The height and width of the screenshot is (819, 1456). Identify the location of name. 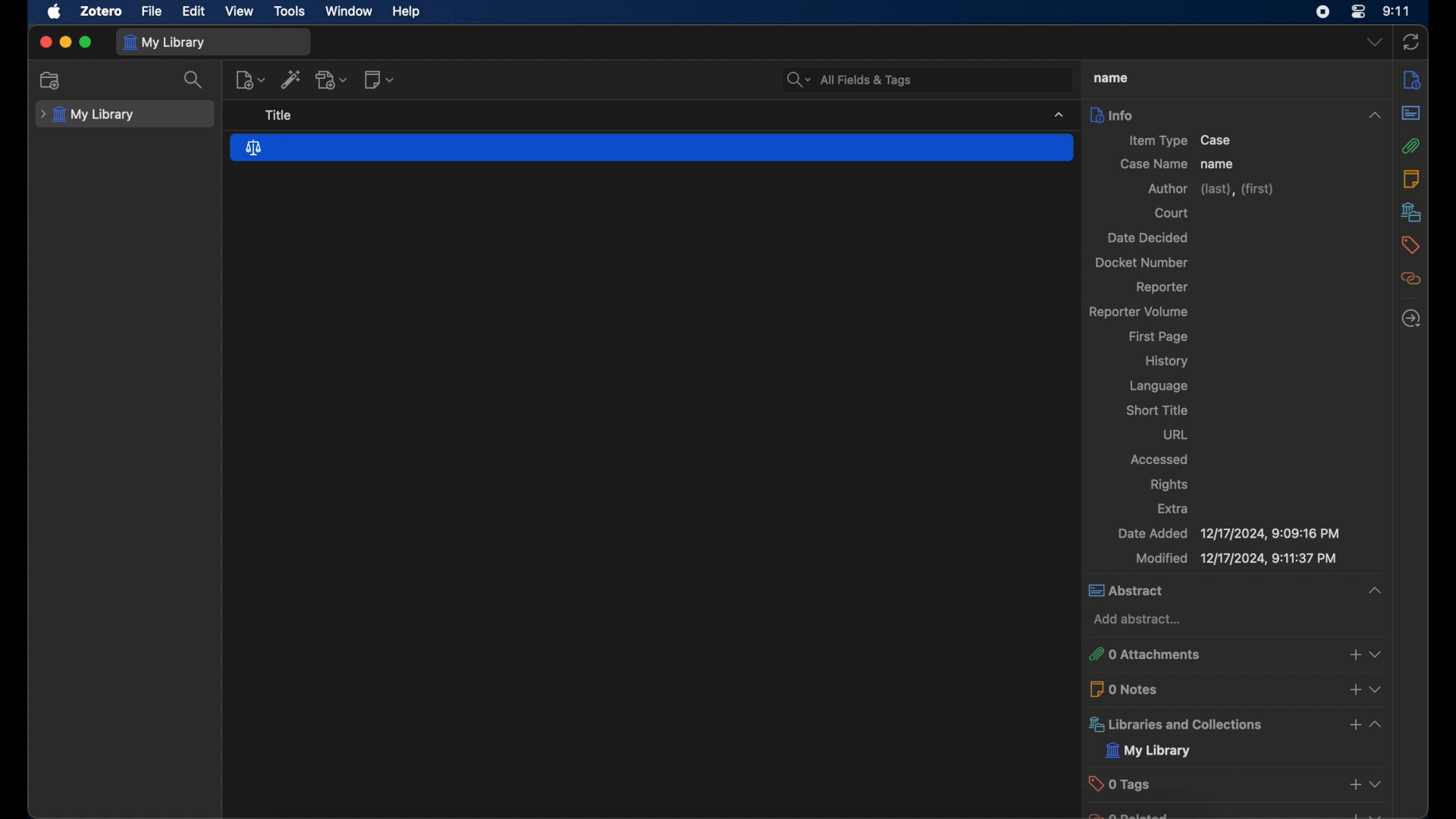
(1218, 164).